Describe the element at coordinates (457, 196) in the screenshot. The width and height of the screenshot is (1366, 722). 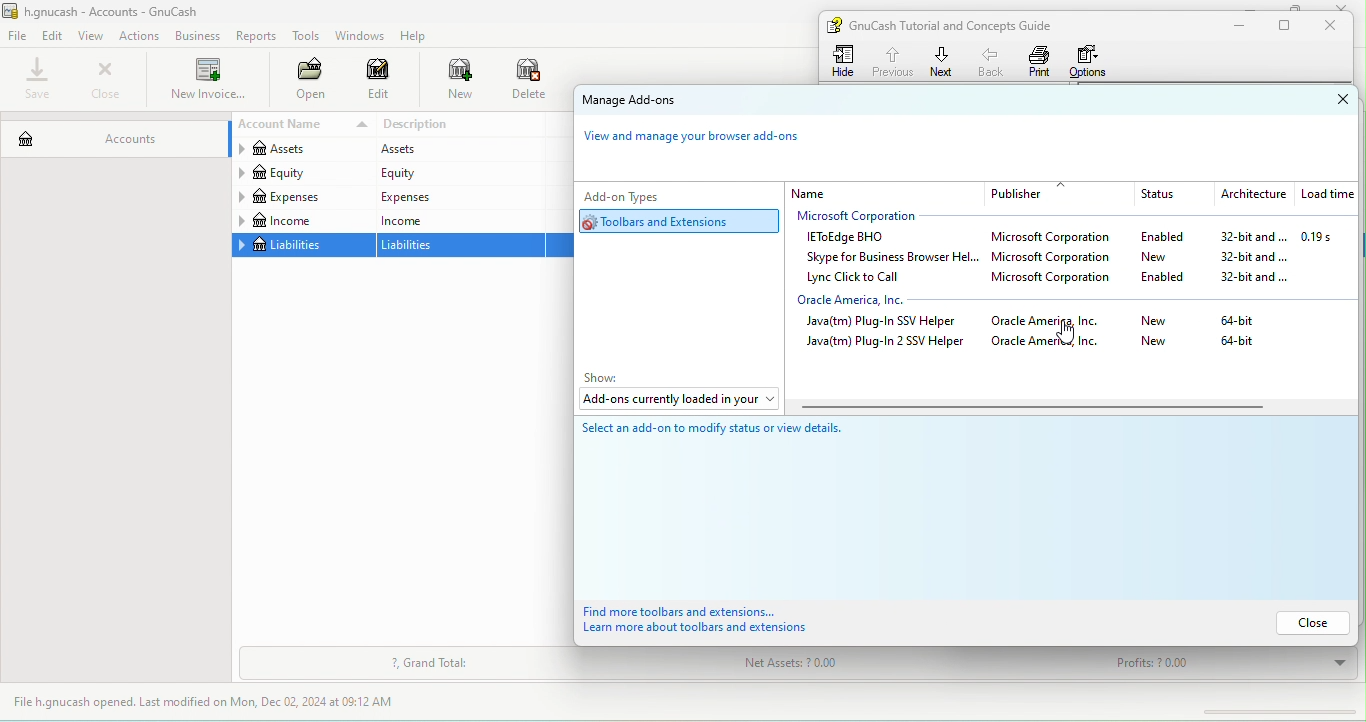
I see `expeness` at that location.